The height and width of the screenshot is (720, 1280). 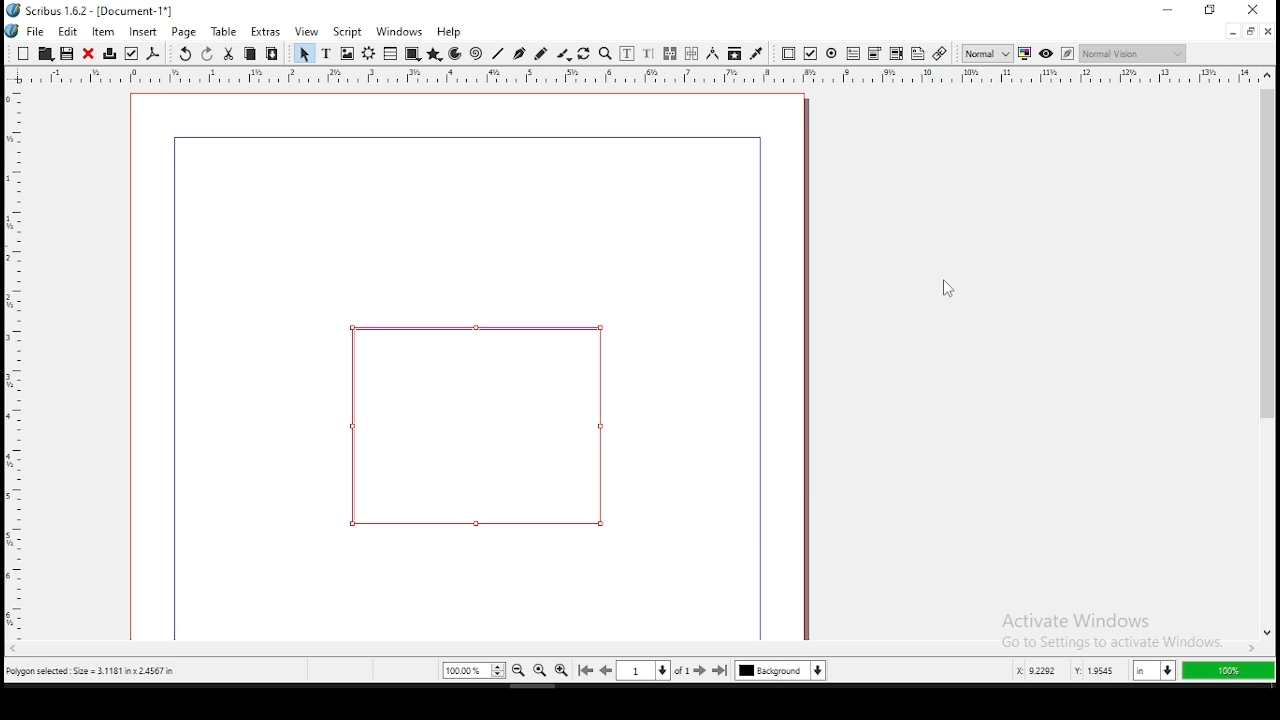 What do you see at coordinates (327, 53) in the screenshot?
I see `text` at bounding box center [327, 53].